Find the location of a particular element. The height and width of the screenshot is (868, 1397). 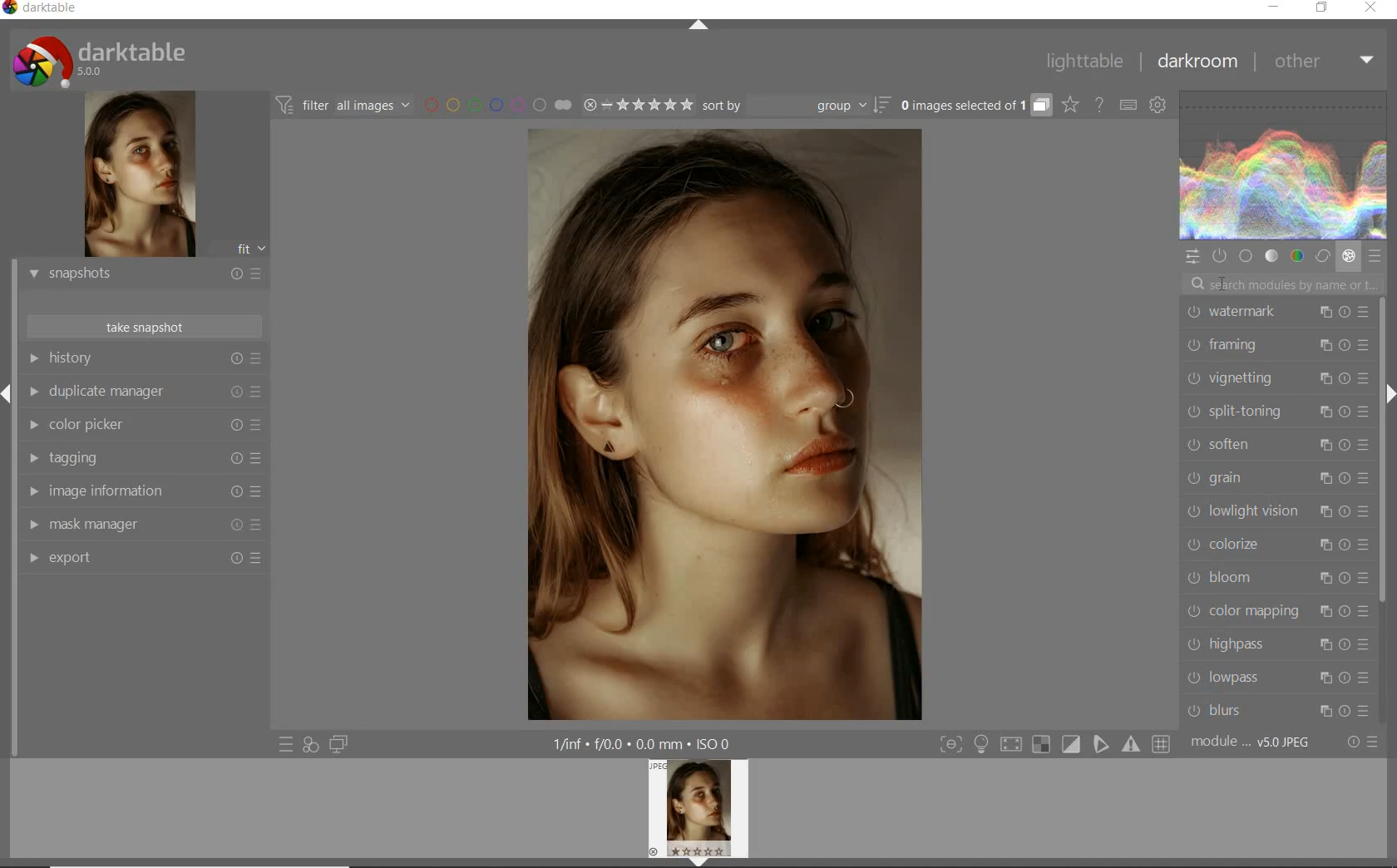

image preview is located at coordinates (701, 813).